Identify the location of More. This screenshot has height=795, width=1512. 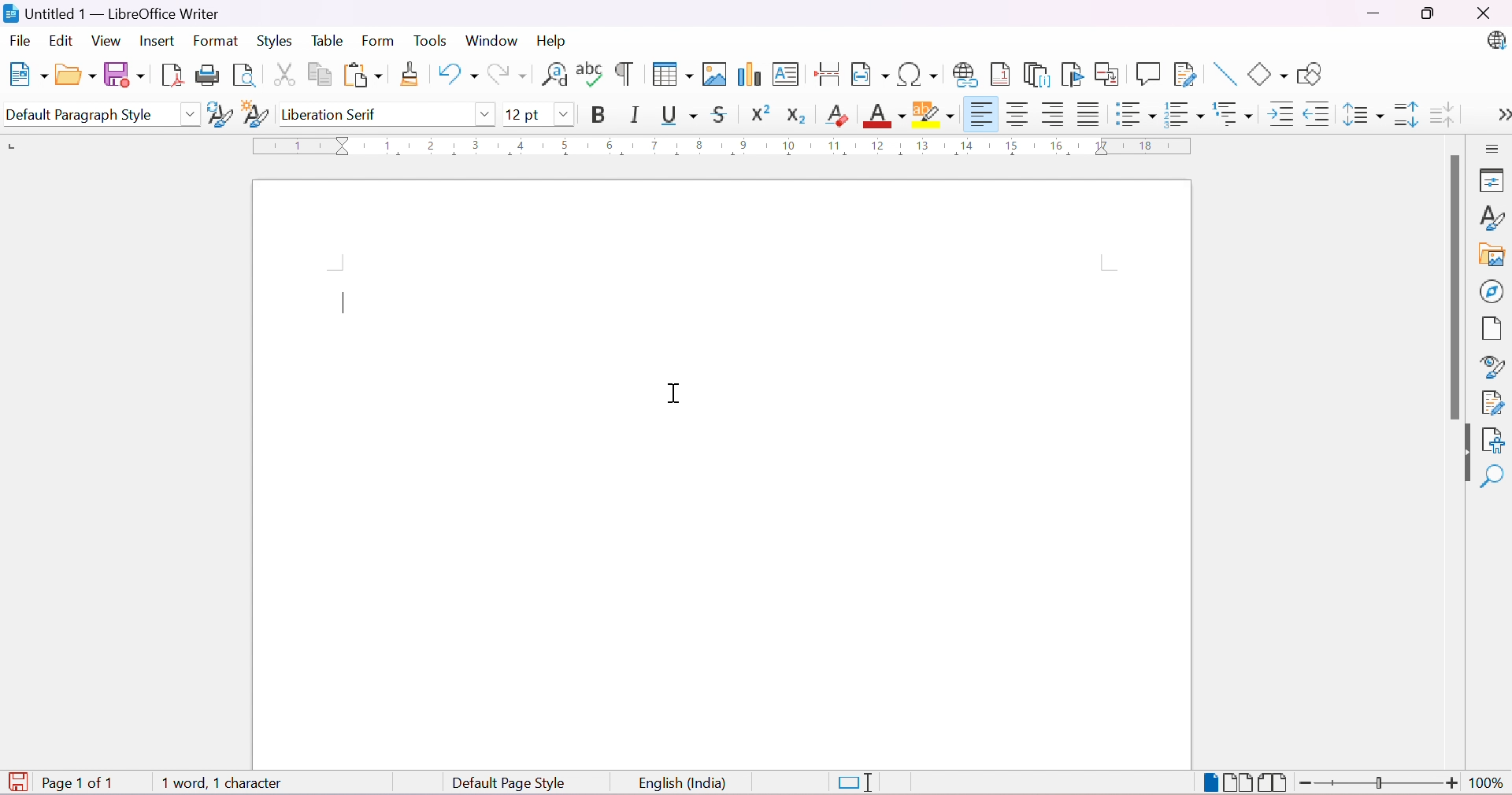
(1503, 113).